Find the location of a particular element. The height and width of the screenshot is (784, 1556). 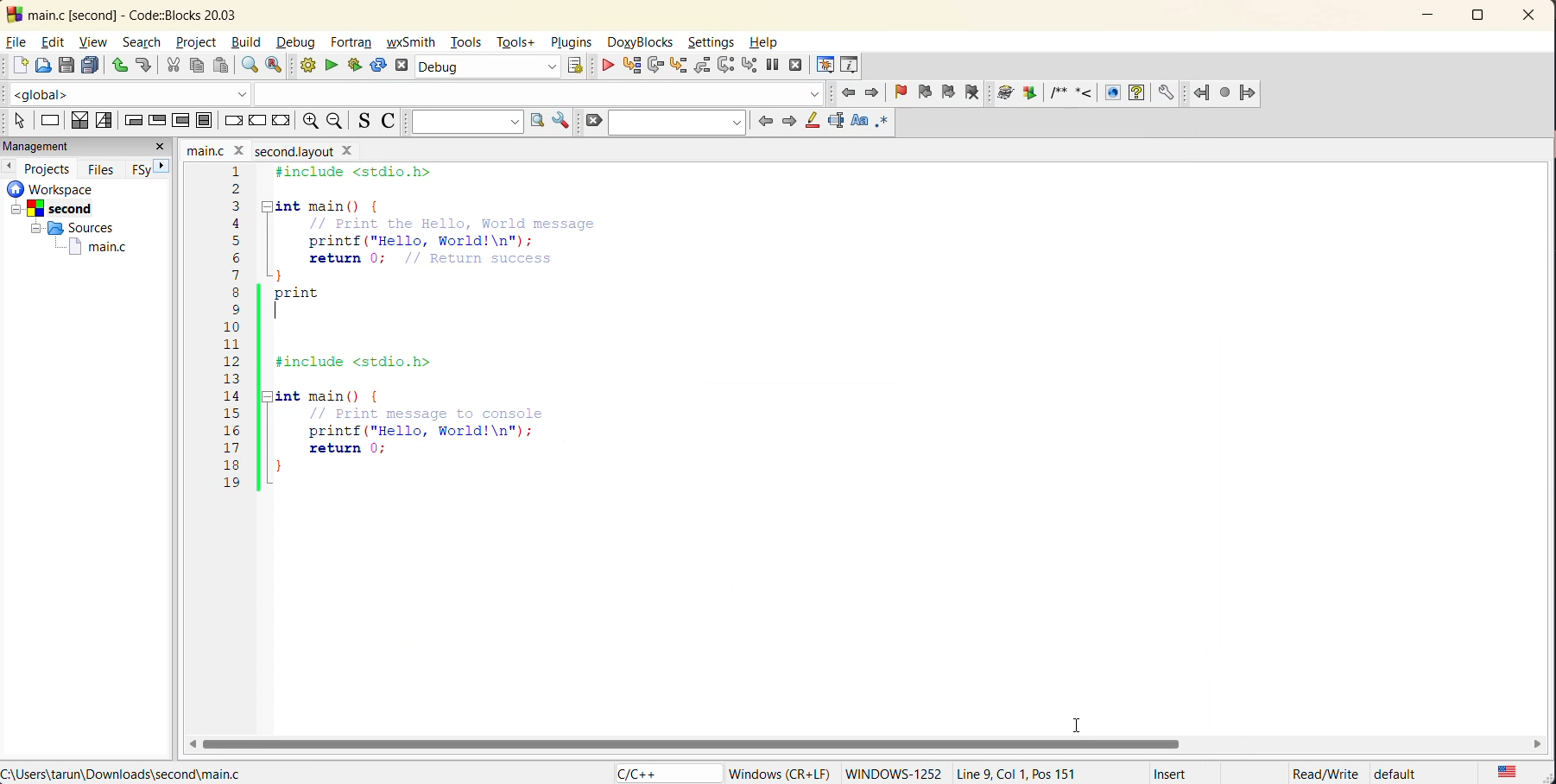

settings is located at coordinates (714, 43).